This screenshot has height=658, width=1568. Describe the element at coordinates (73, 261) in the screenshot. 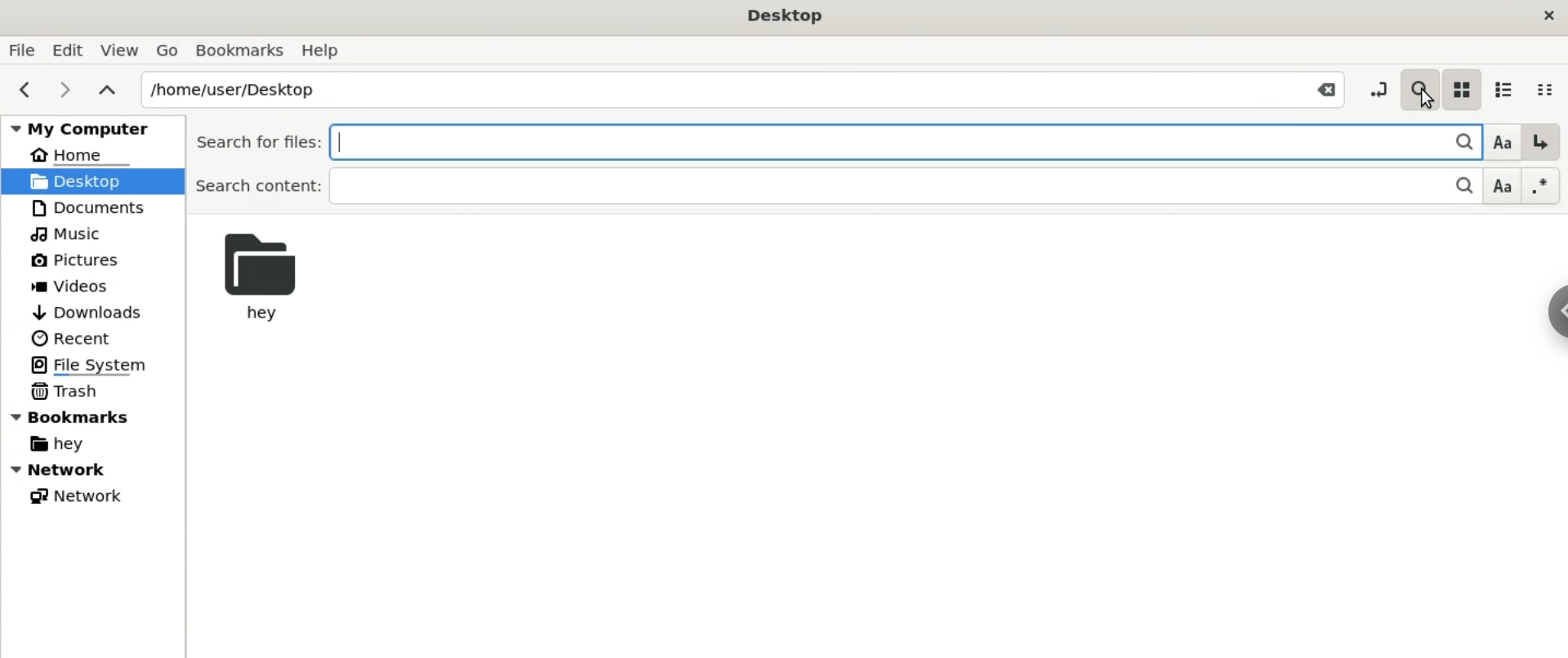

I see `Pictures` at that location.